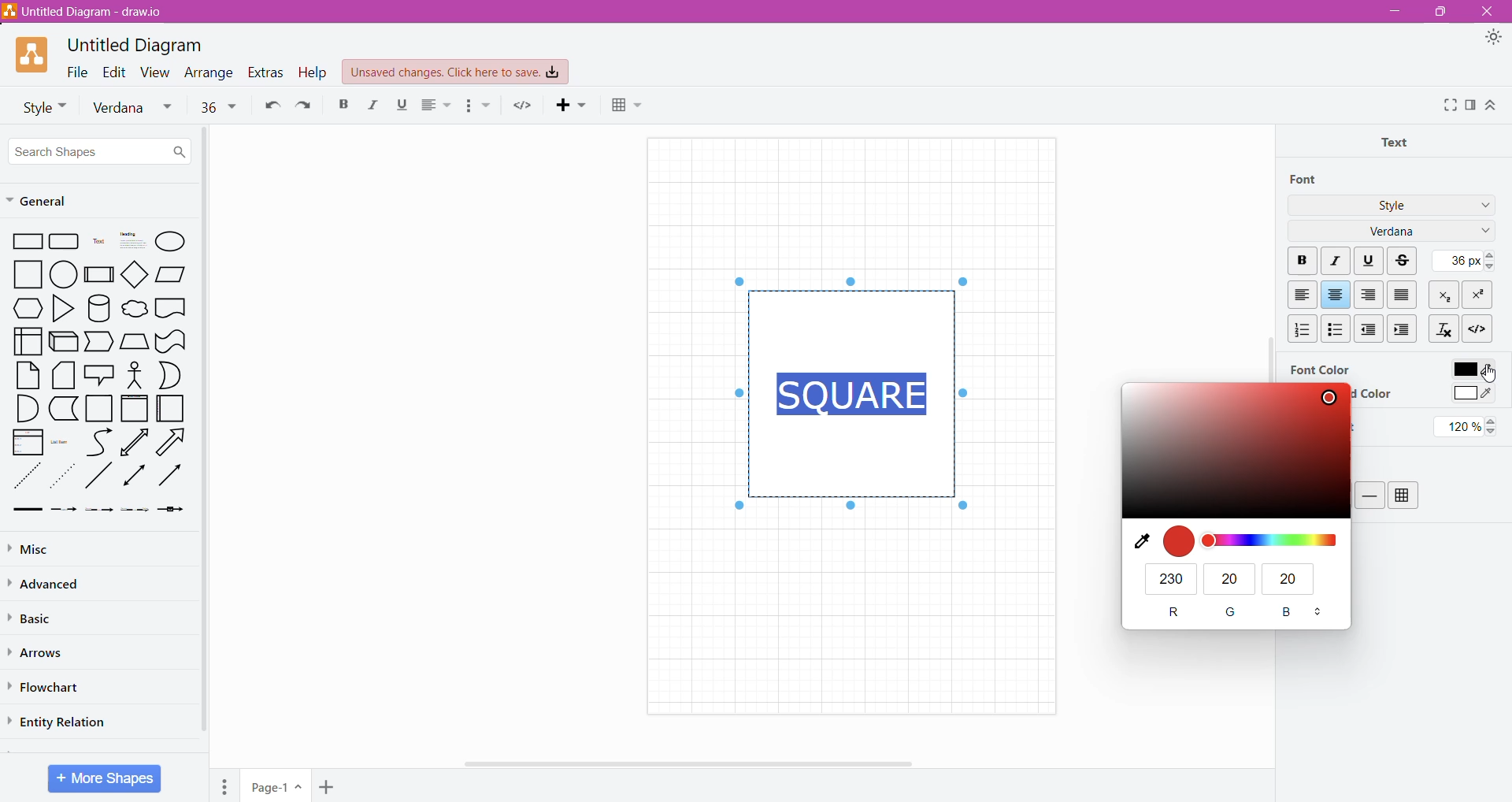 Image resolution: width=1512 pixels, height=802 pixels. Describe the element at coordinates (328, 788) in the screenshot. I see `Add Pages` at that location.